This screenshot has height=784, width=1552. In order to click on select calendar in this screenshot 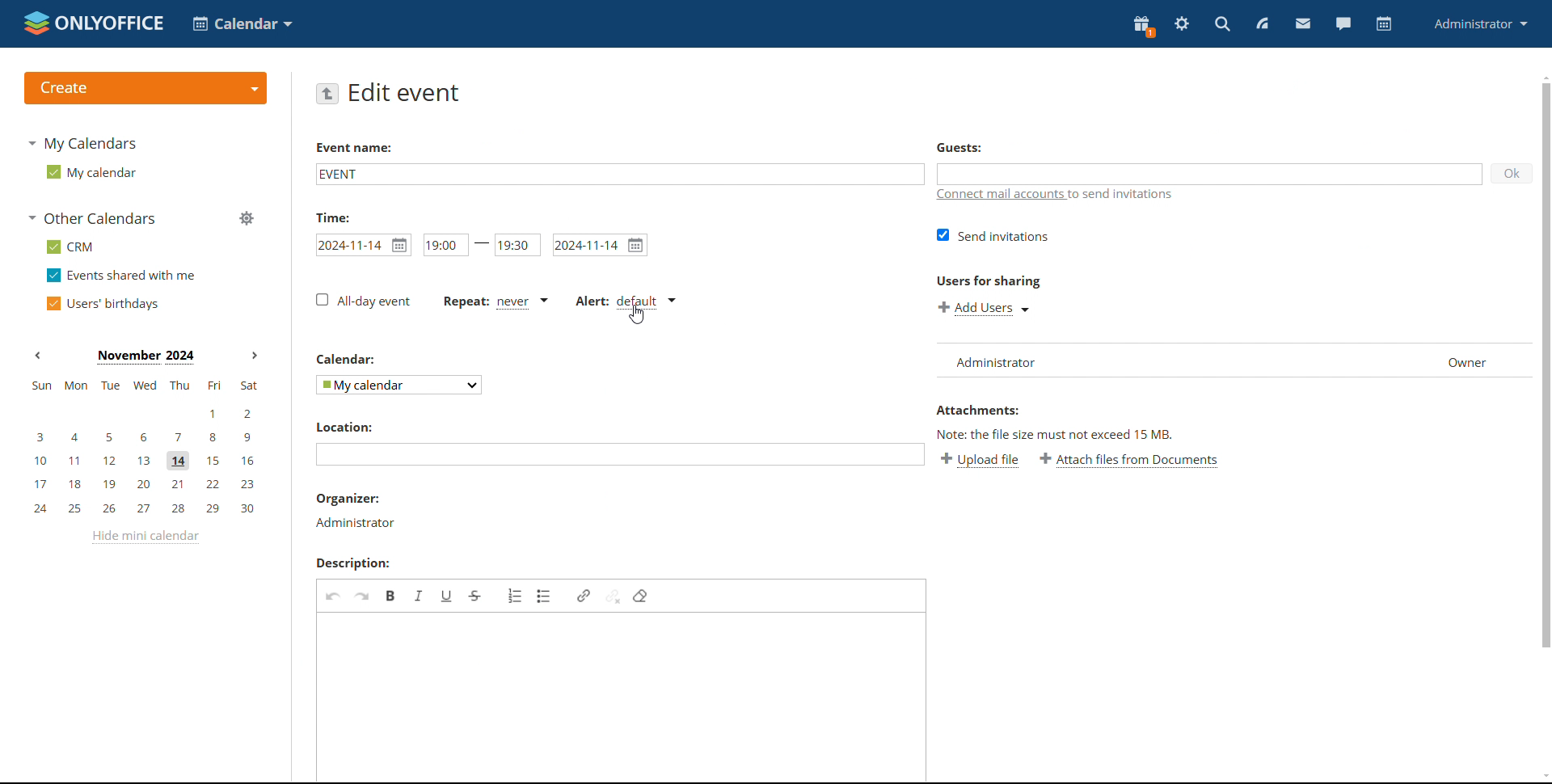, I will do `click(398, 385)`.